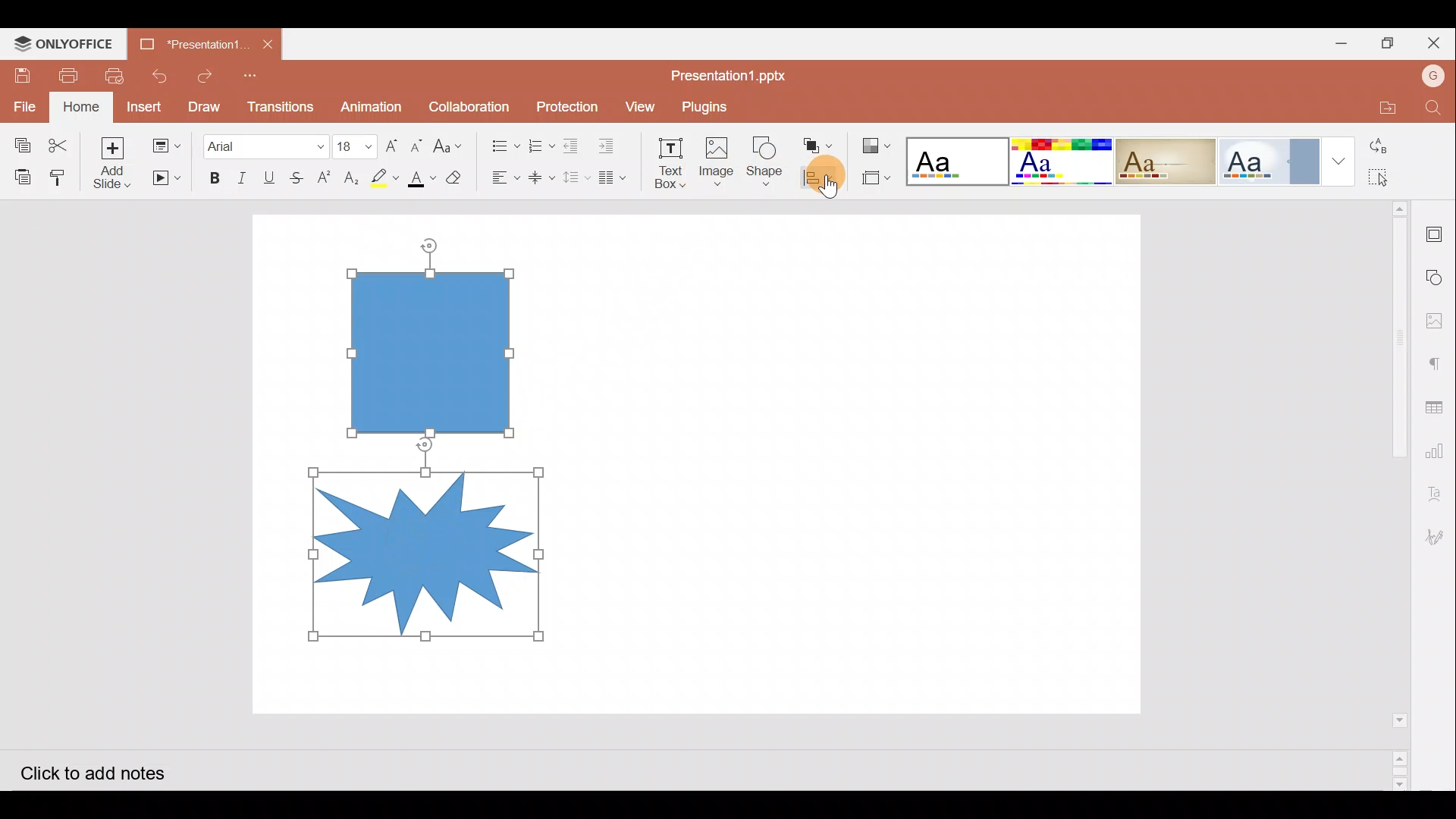 Image resolution: width=1456 pixels, height=819 pixels. Describe the element at coordinates (73, 74) in the screenshot. I see `Print file` at that location.